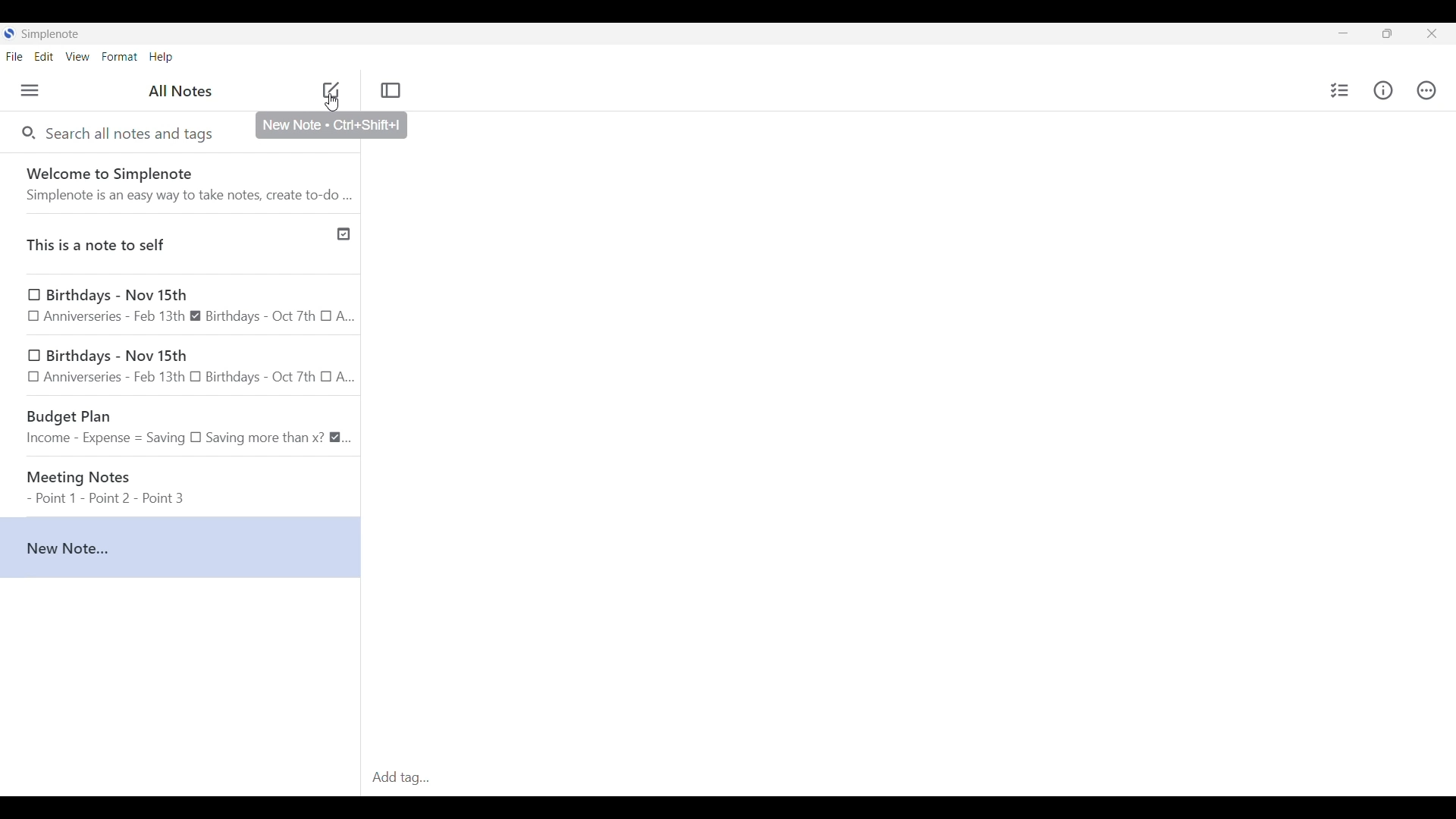  What do you see at coordinates (180, 548) in the screenshot?
I see `Current note highlighted` at bounding box center [180, 548].